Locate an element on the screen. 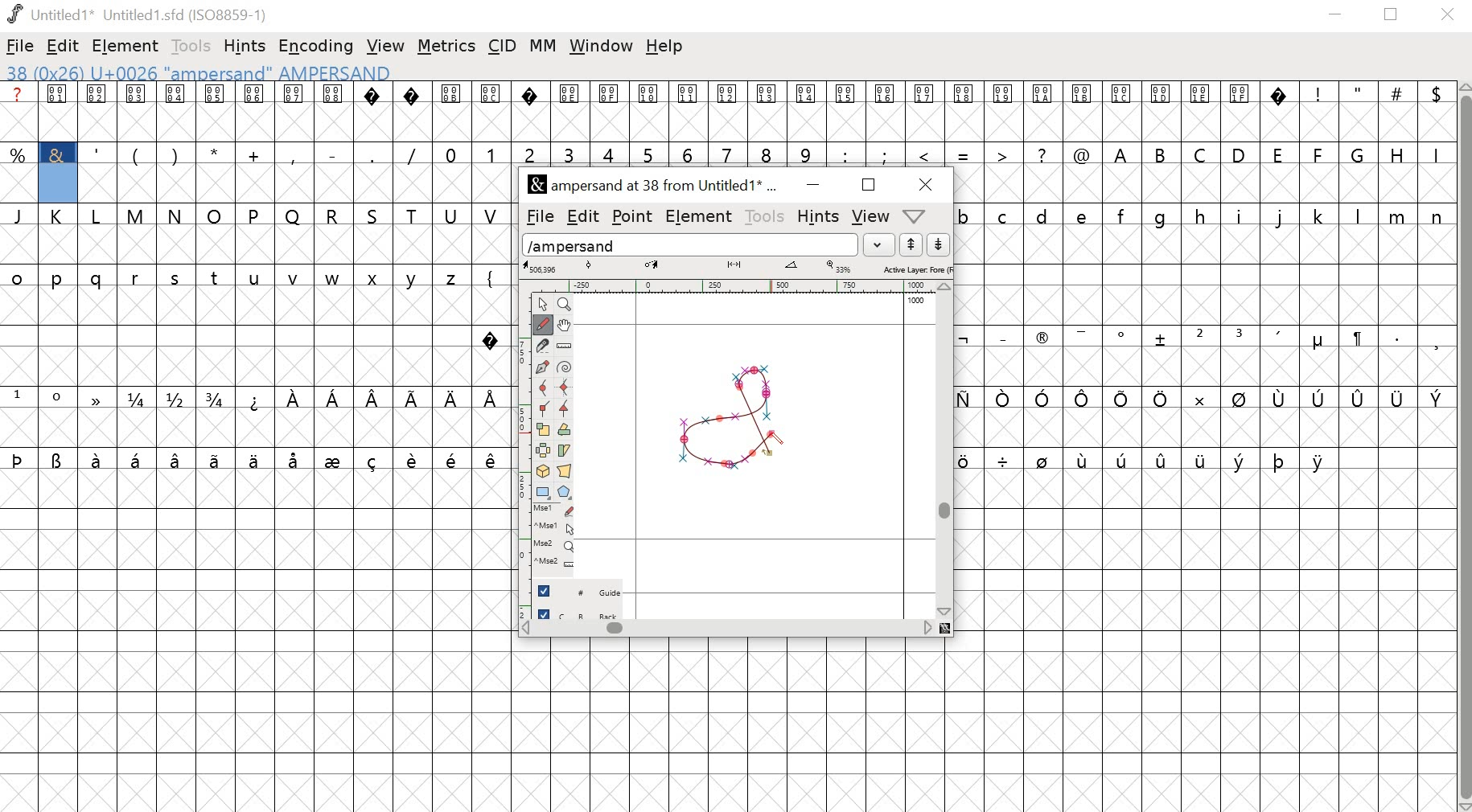 The height and width of the screenshot is (812, 1472). vertical ruler is located at coordinates (516, 452).